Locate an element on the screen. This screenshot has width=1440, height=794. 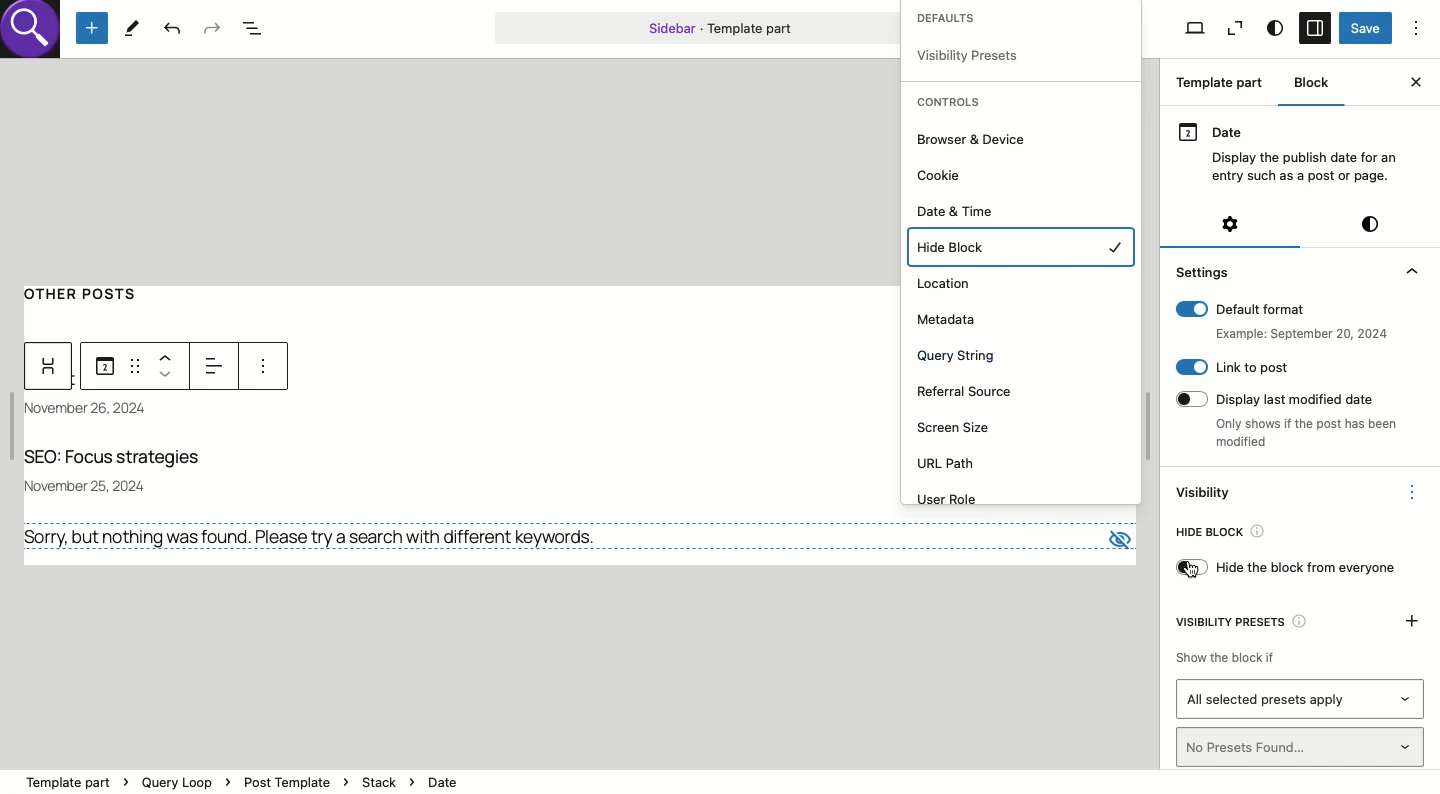
Move up down is located at coordinates (170, 365).